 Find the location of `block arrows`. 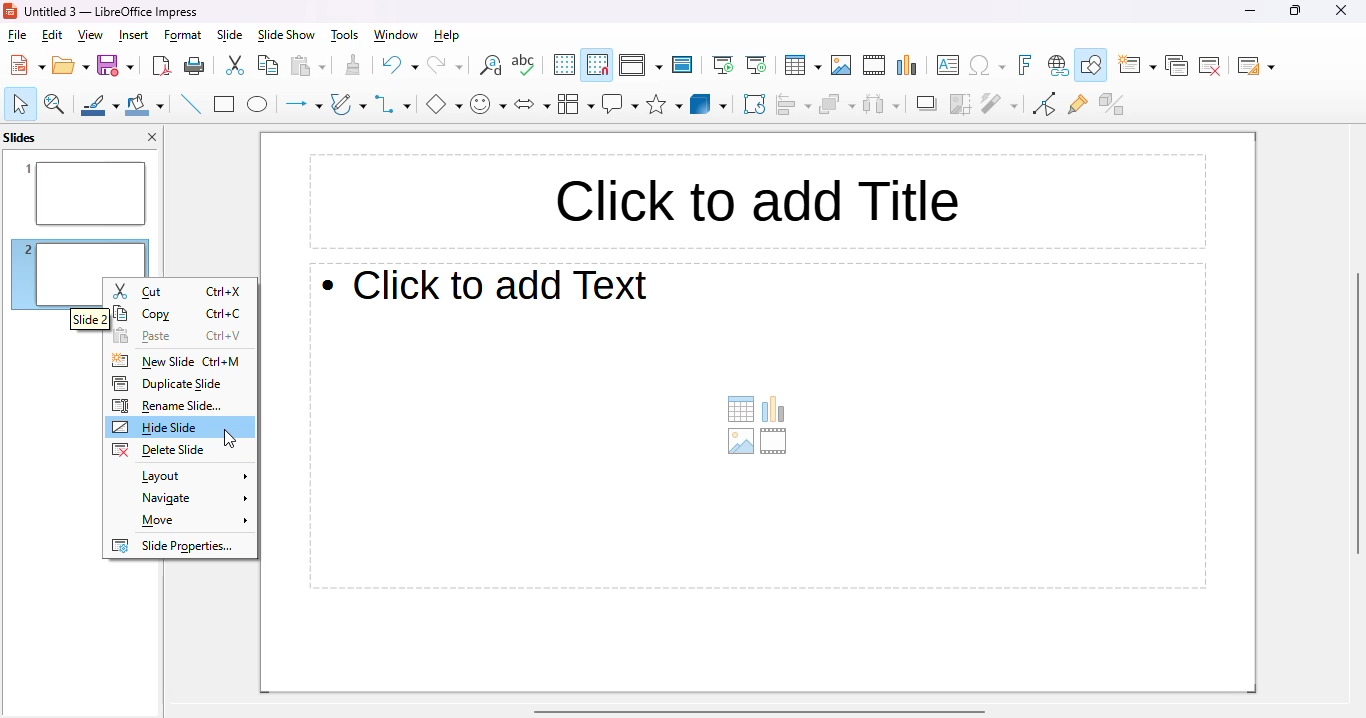

block arrows is located at coordinates (533, 106).